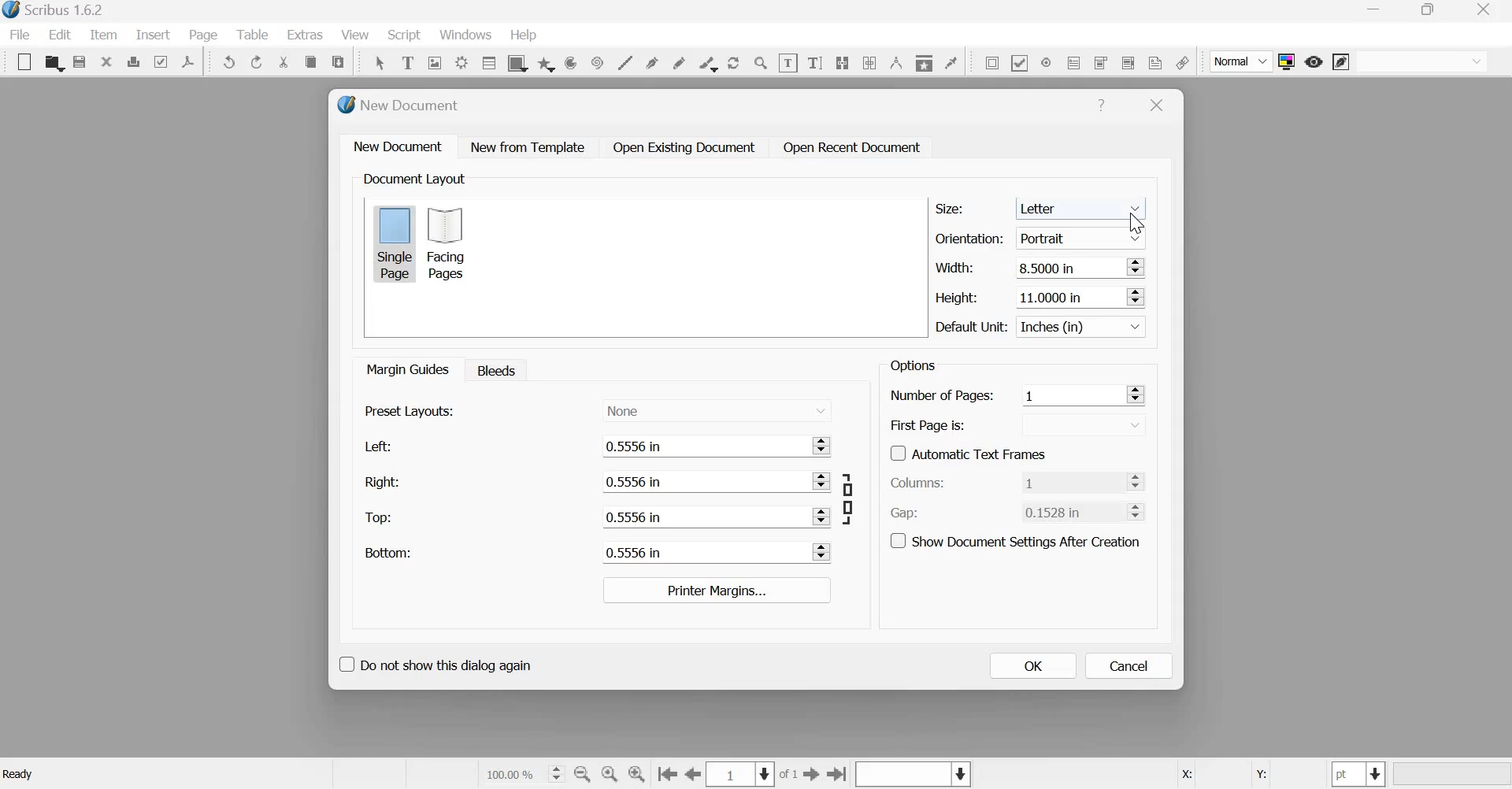 Image resolution: width=1512 pixels, height=789 pixels. I want to click on insert, so click(153, 34).